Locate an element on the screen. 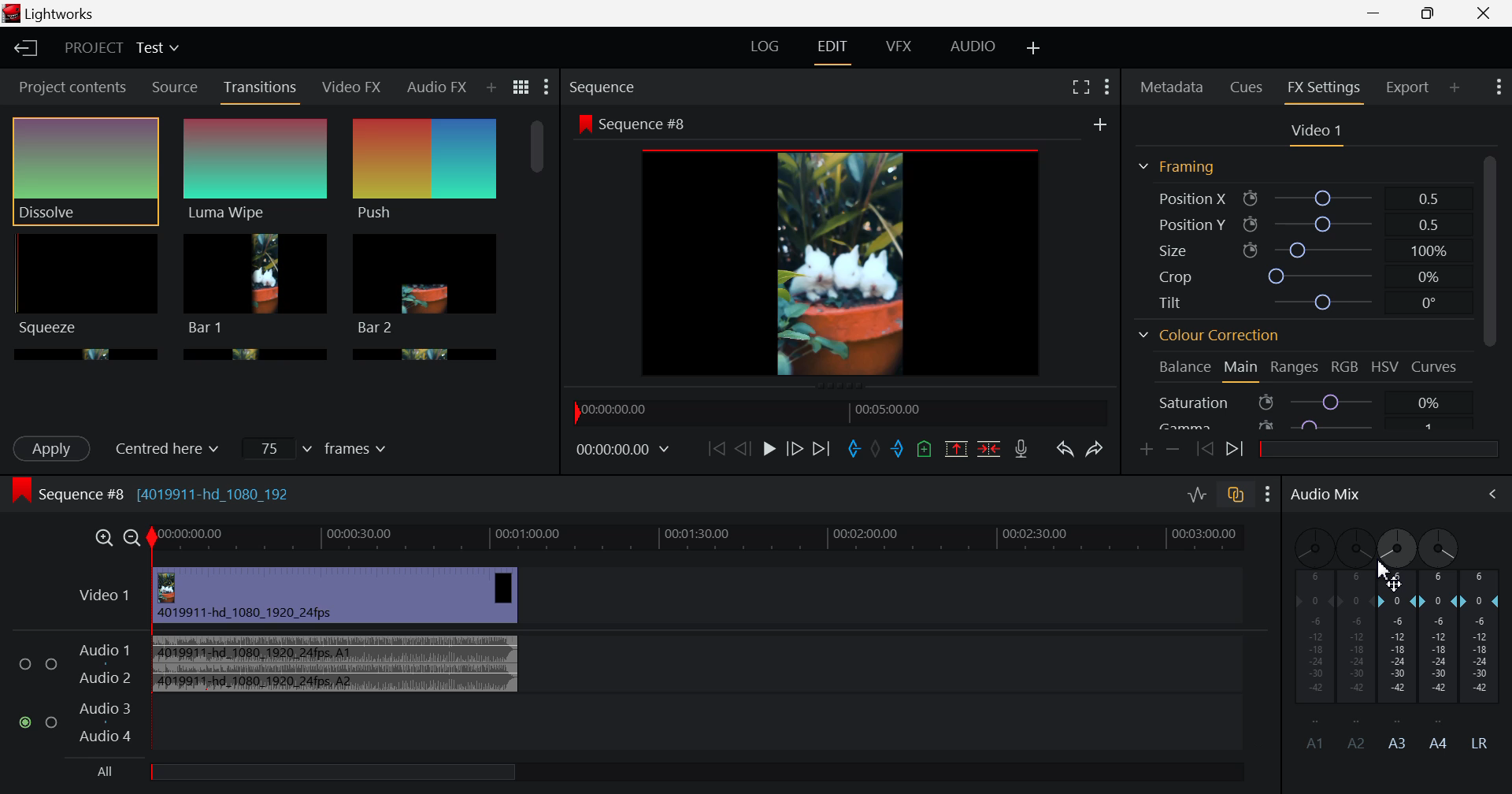 The height and width of the screenshot is (794, 1512). Video Input is located at coordinates (326, 595).